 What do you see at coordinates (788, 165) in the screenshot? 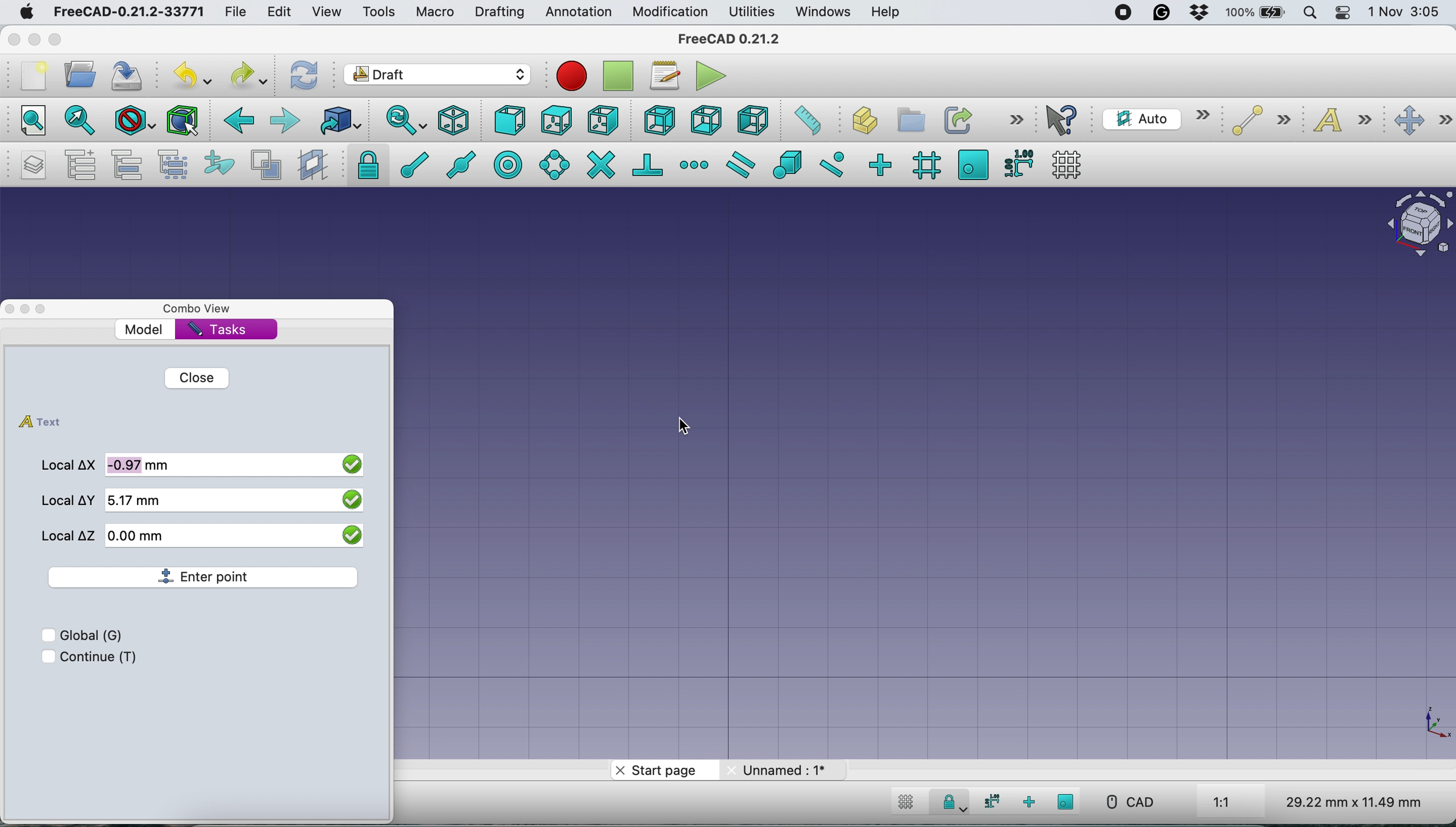
I see `snap special` at bounding box center [788, 165].